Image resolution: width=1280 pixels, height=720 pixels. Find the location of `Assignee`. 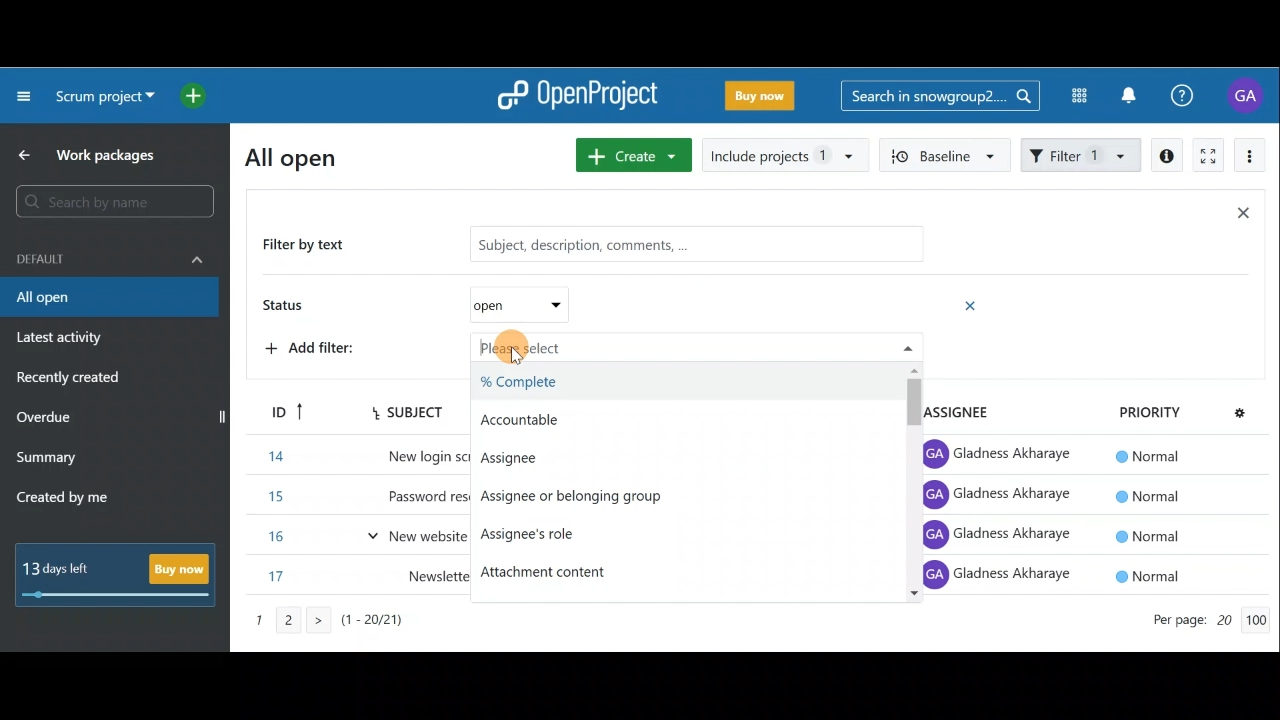

Assignee is located at coordinates (679, 455).